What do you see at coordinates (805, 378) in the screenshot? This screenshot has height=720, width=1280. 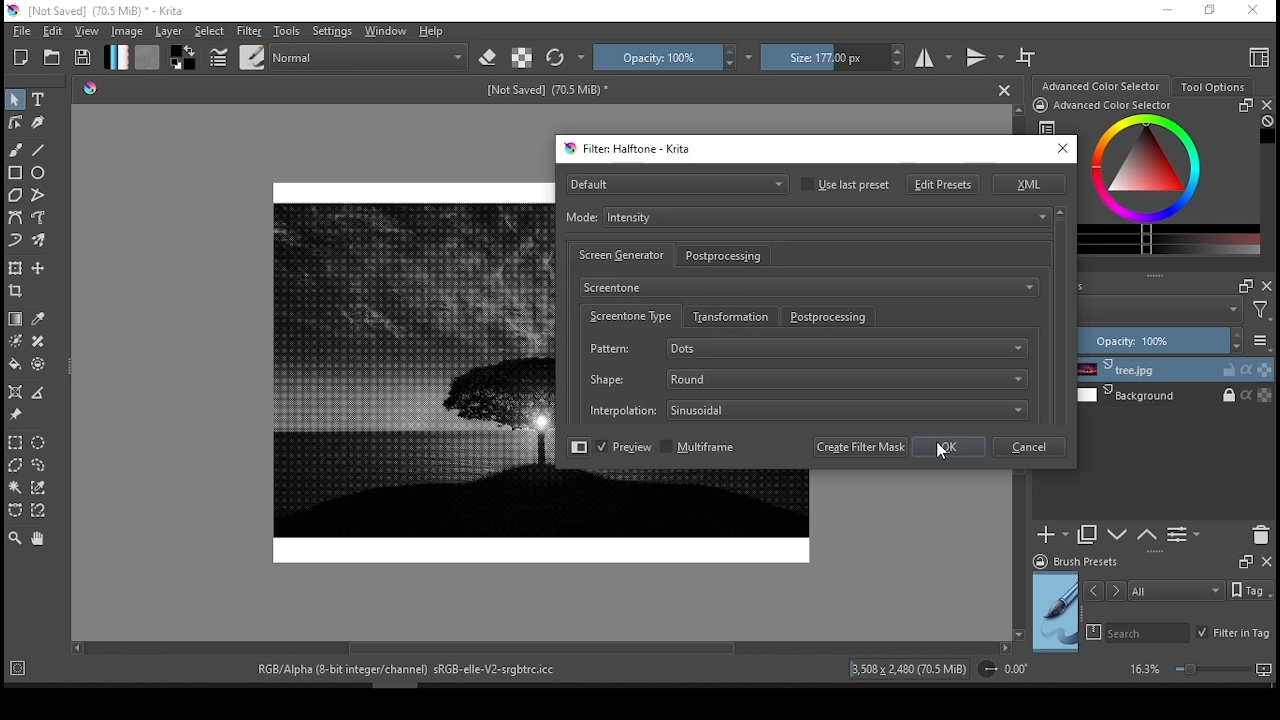 I see `shape` at bounding box center [805, 378].